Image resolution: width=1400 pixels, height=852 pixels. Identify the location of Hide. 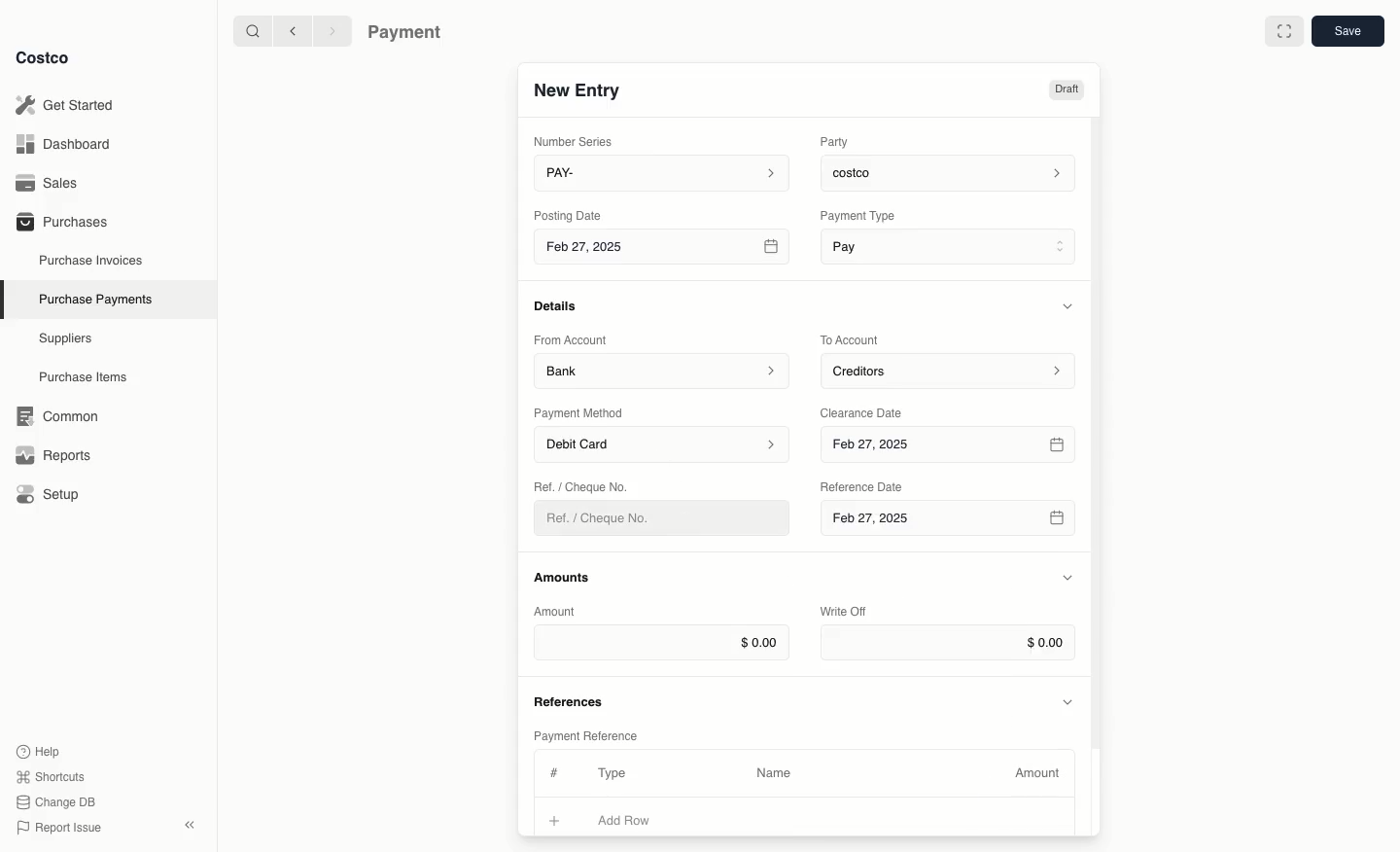
(1067, 579).